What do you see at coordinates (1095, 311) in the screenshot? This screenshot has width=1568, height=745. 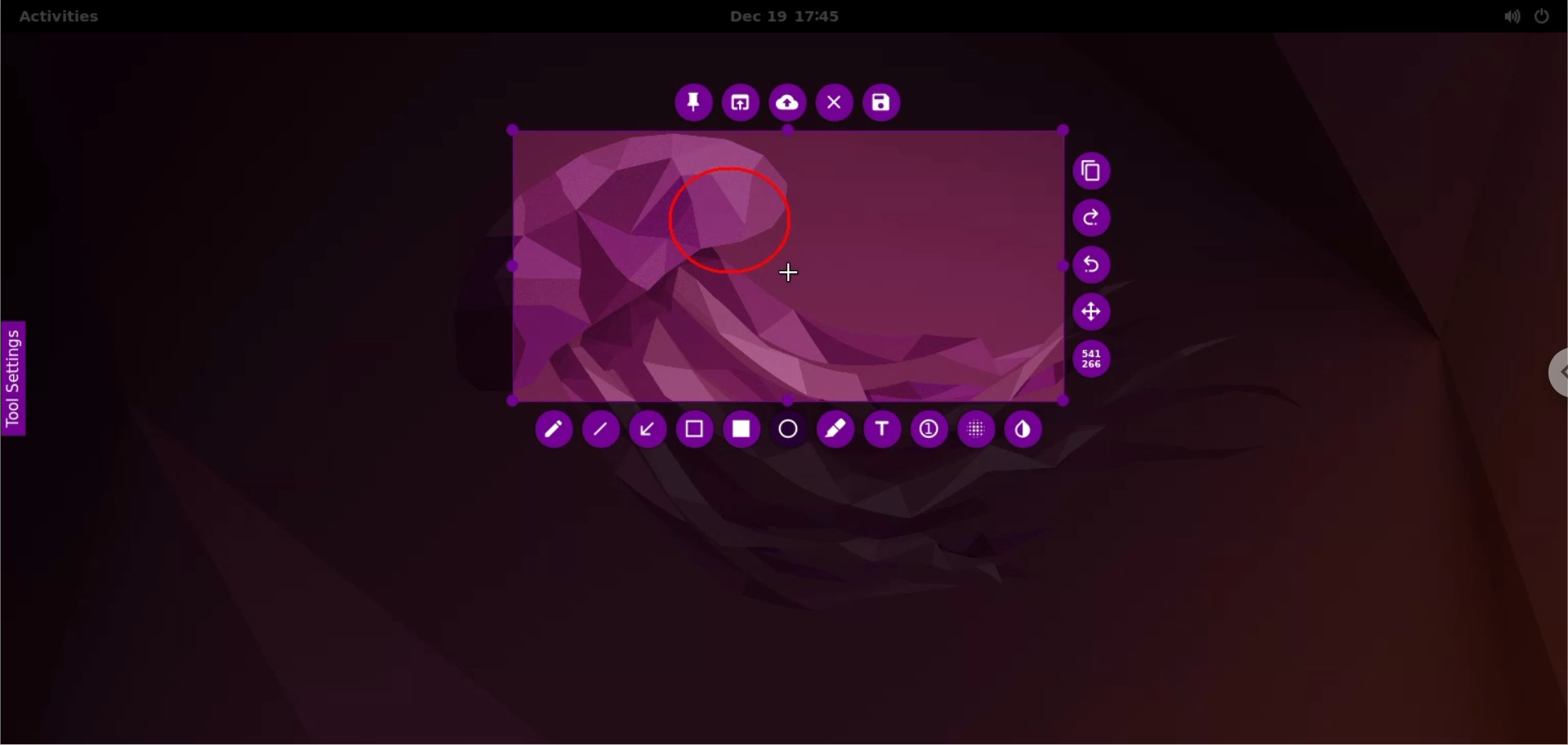 I see `move selection` at bounding box center [1095, 311].